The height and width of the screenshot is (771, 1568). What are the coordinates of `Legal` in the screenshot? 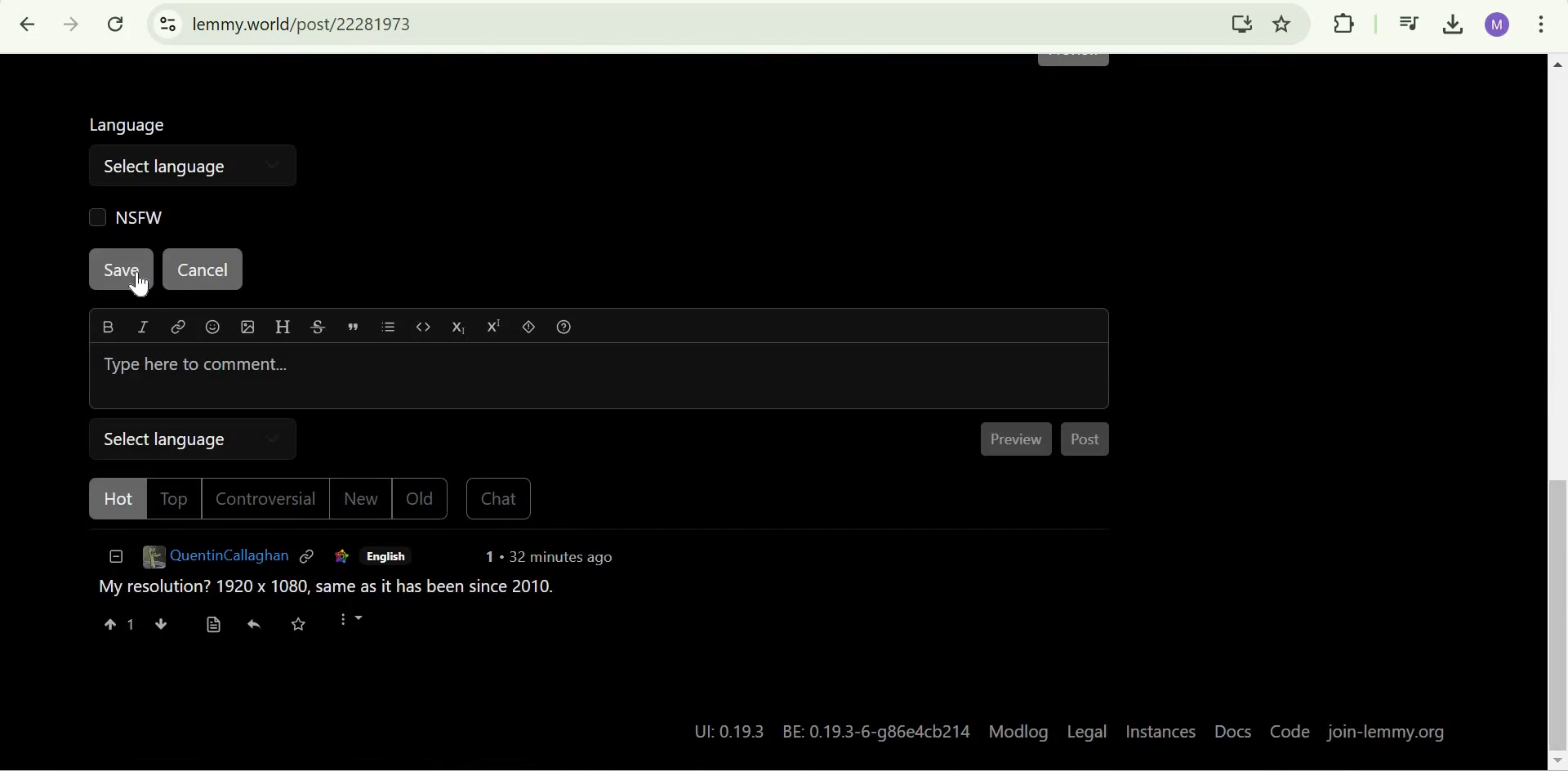 It's located at (1087, 730).